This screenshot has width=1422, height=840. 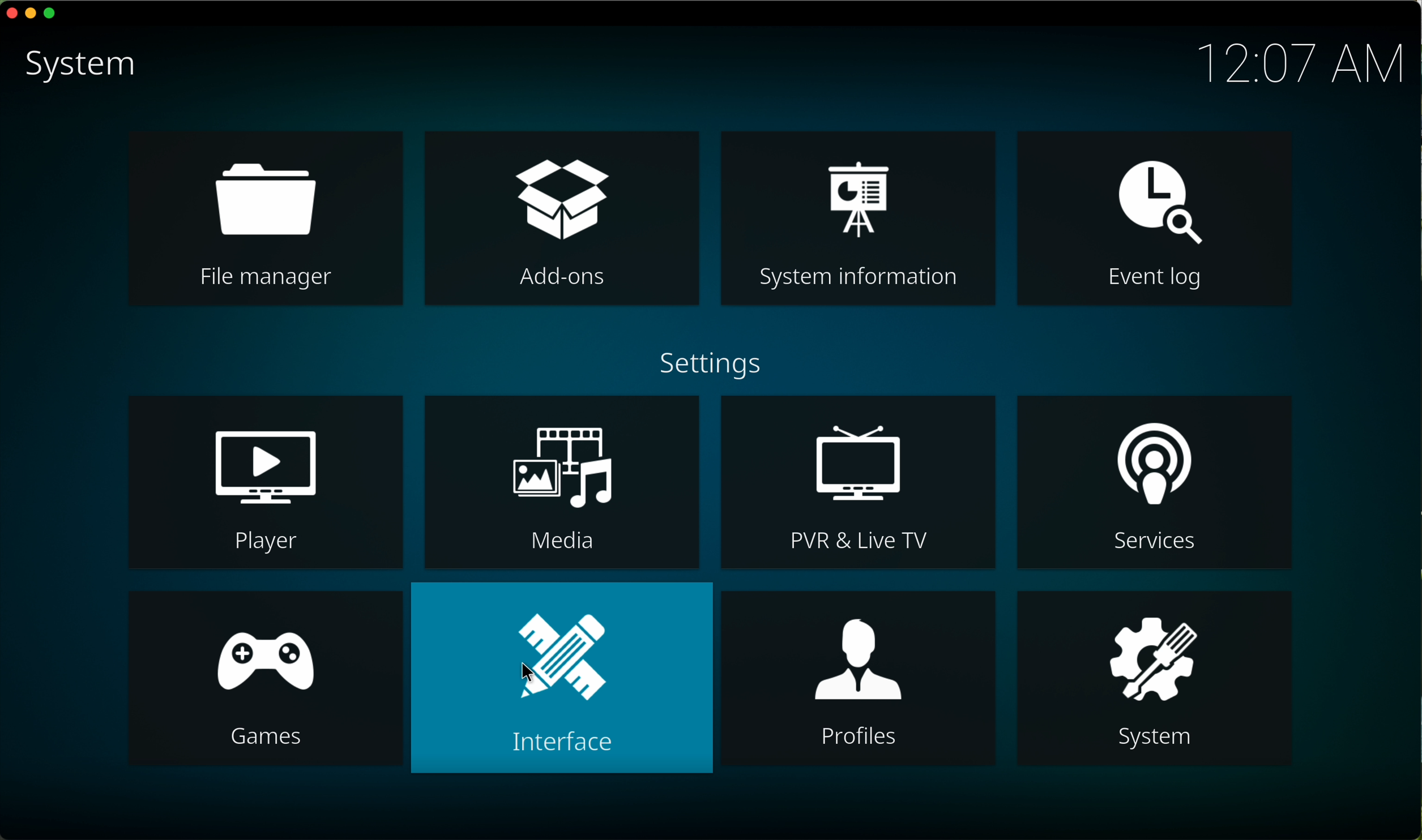 I want to click on profiles, so click(x=857, y=677).